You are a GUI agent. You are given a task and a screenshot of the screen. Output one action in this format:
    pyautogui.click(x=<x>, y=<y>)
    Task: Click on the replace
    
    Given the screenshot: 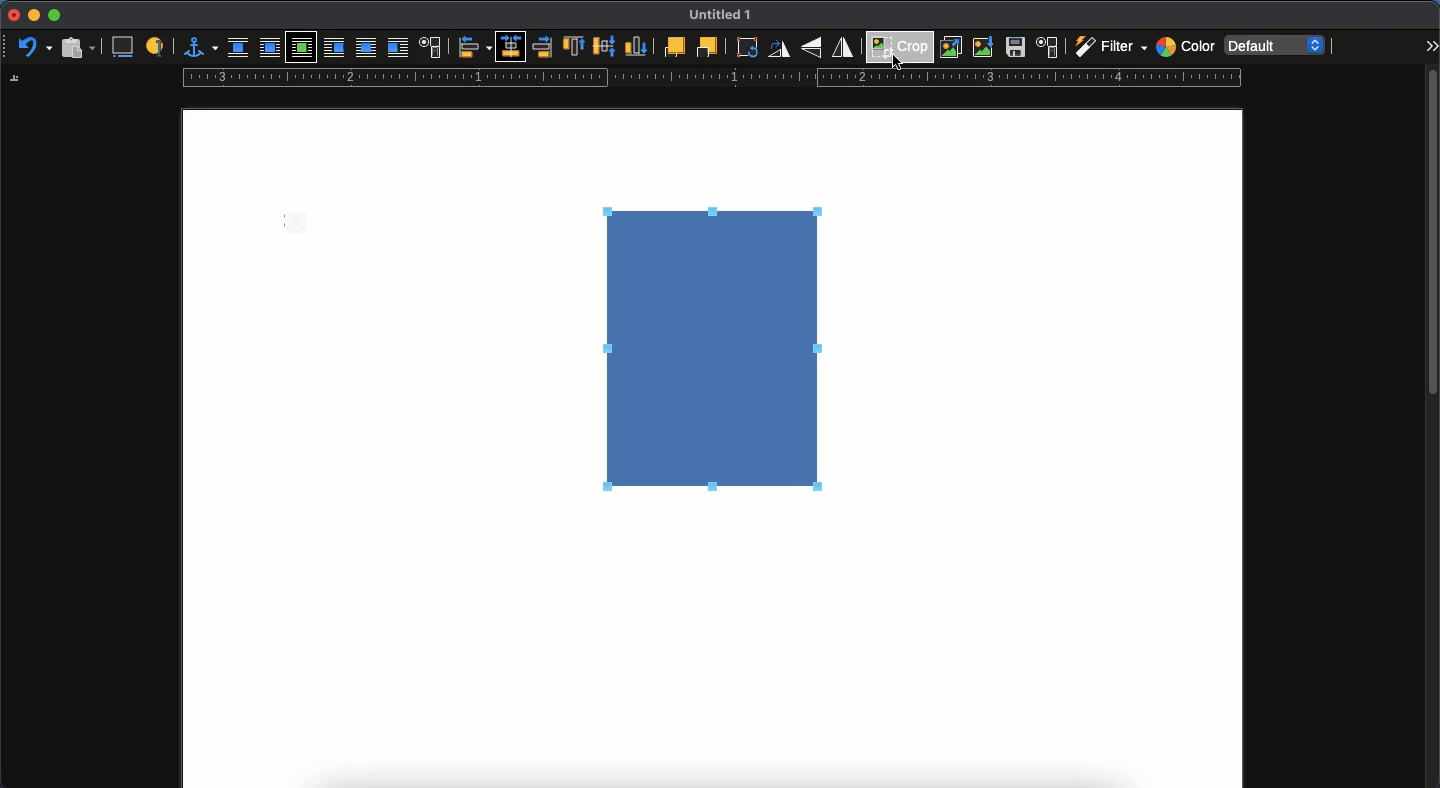 What is the action you would take?
    pyautogui.click(x=952, y=47)
    